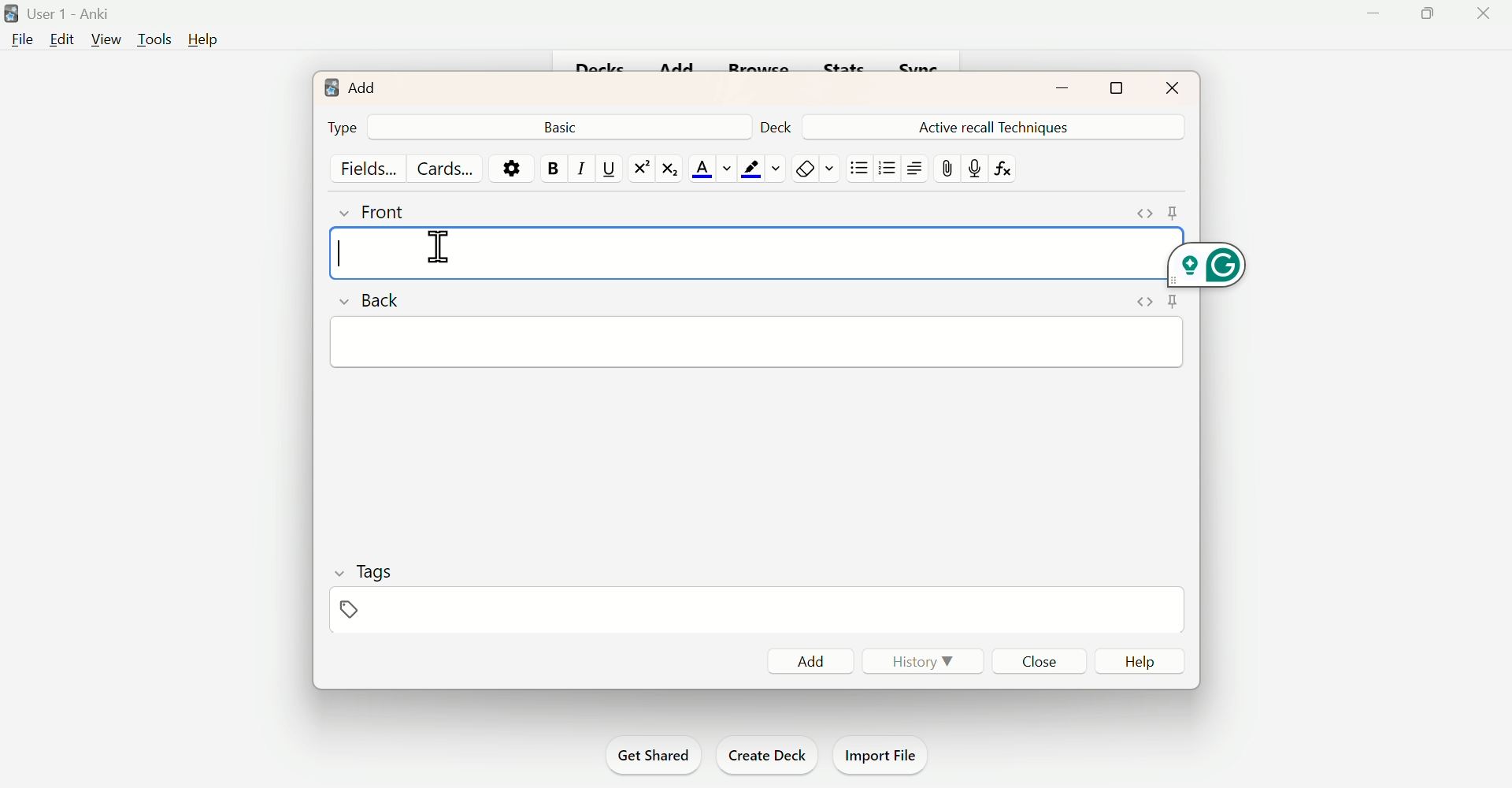  Describe the element at coordinates (887, 169) in the screenshot. I see `Organised List` at that location.